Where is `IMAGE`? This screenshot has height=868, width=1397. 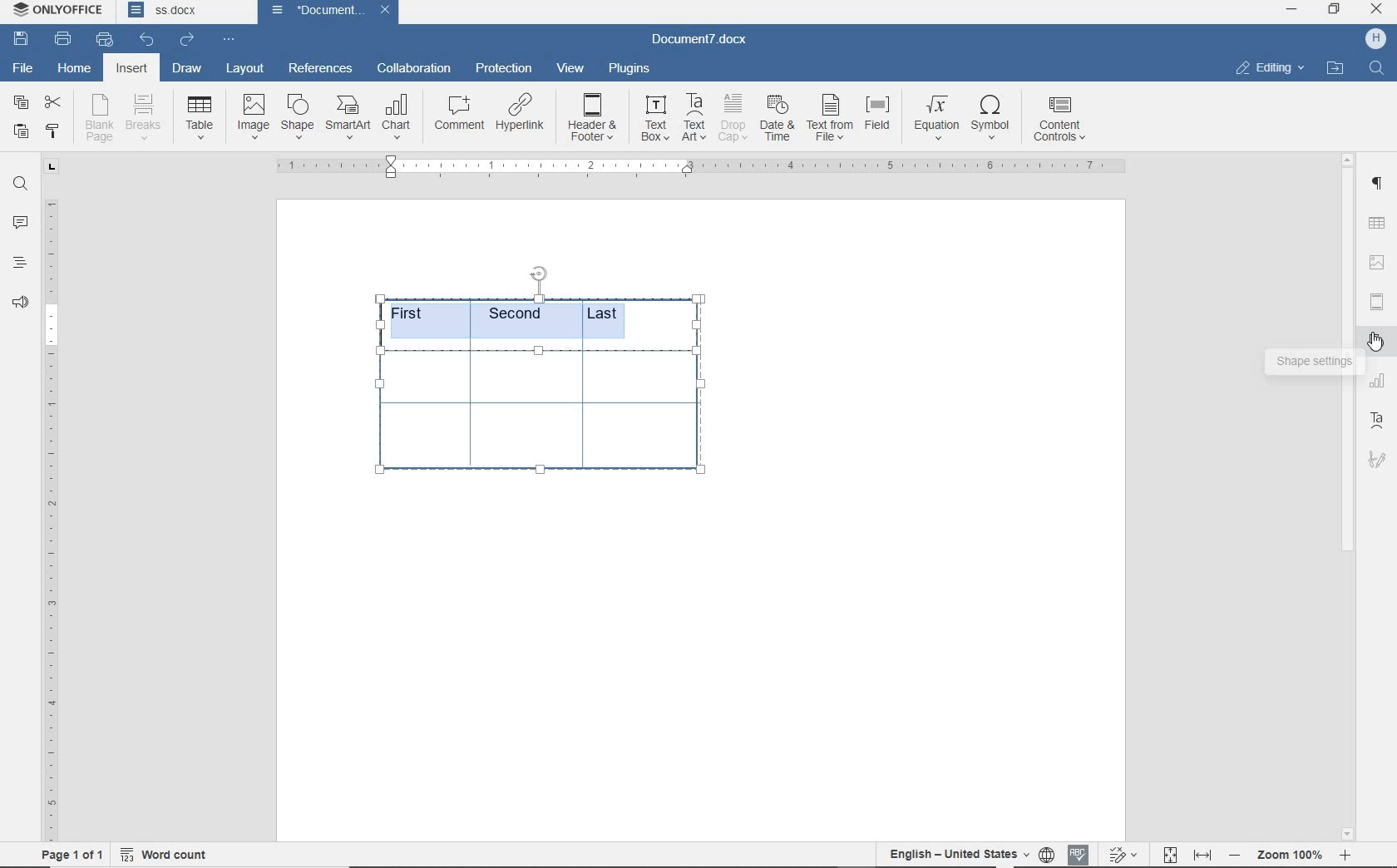
IMAGE is located at coordinates (1378, 262).